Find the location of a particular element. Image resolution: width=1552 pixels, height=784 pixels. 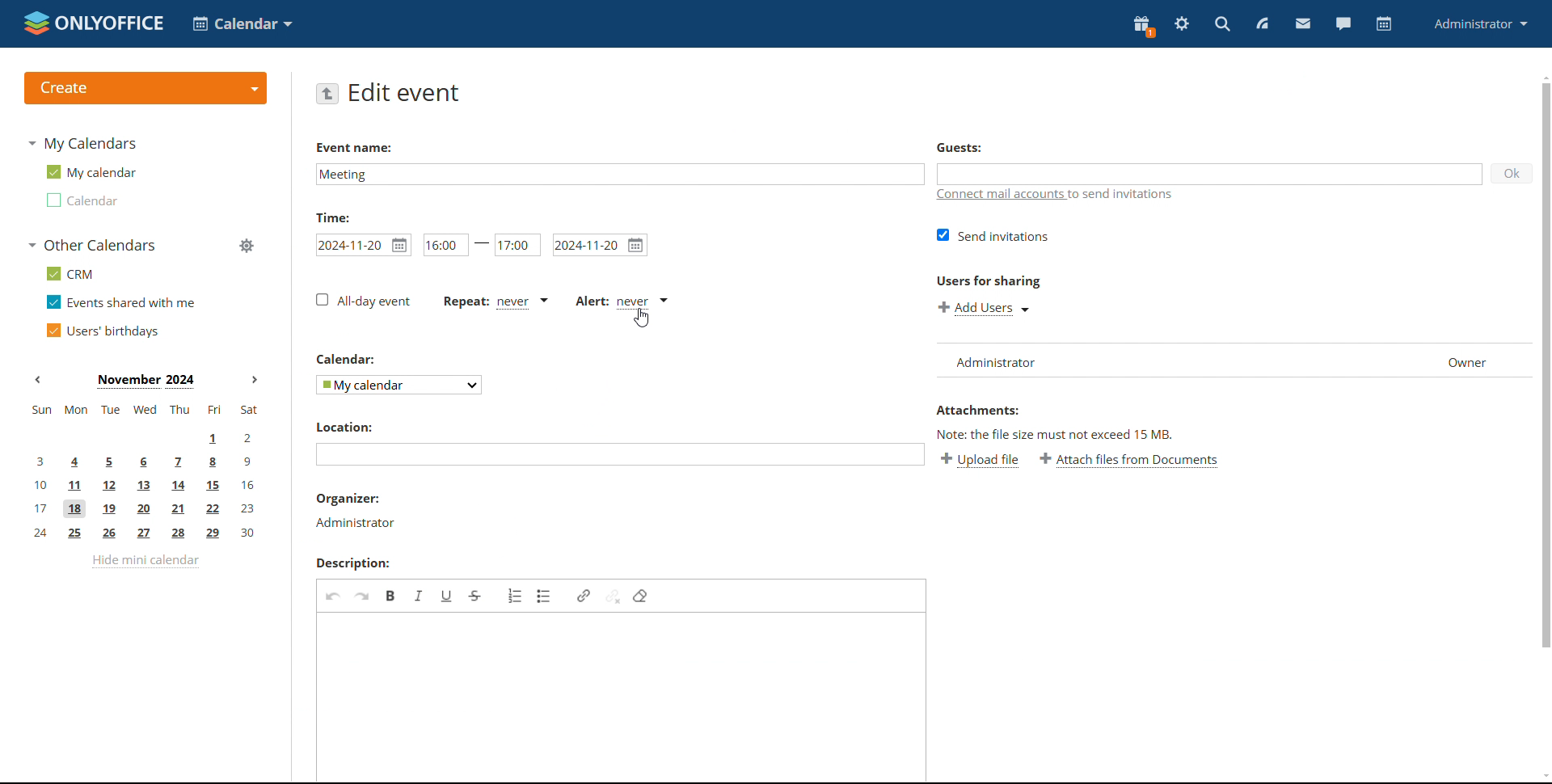

link is located at coordinates (584, 596).